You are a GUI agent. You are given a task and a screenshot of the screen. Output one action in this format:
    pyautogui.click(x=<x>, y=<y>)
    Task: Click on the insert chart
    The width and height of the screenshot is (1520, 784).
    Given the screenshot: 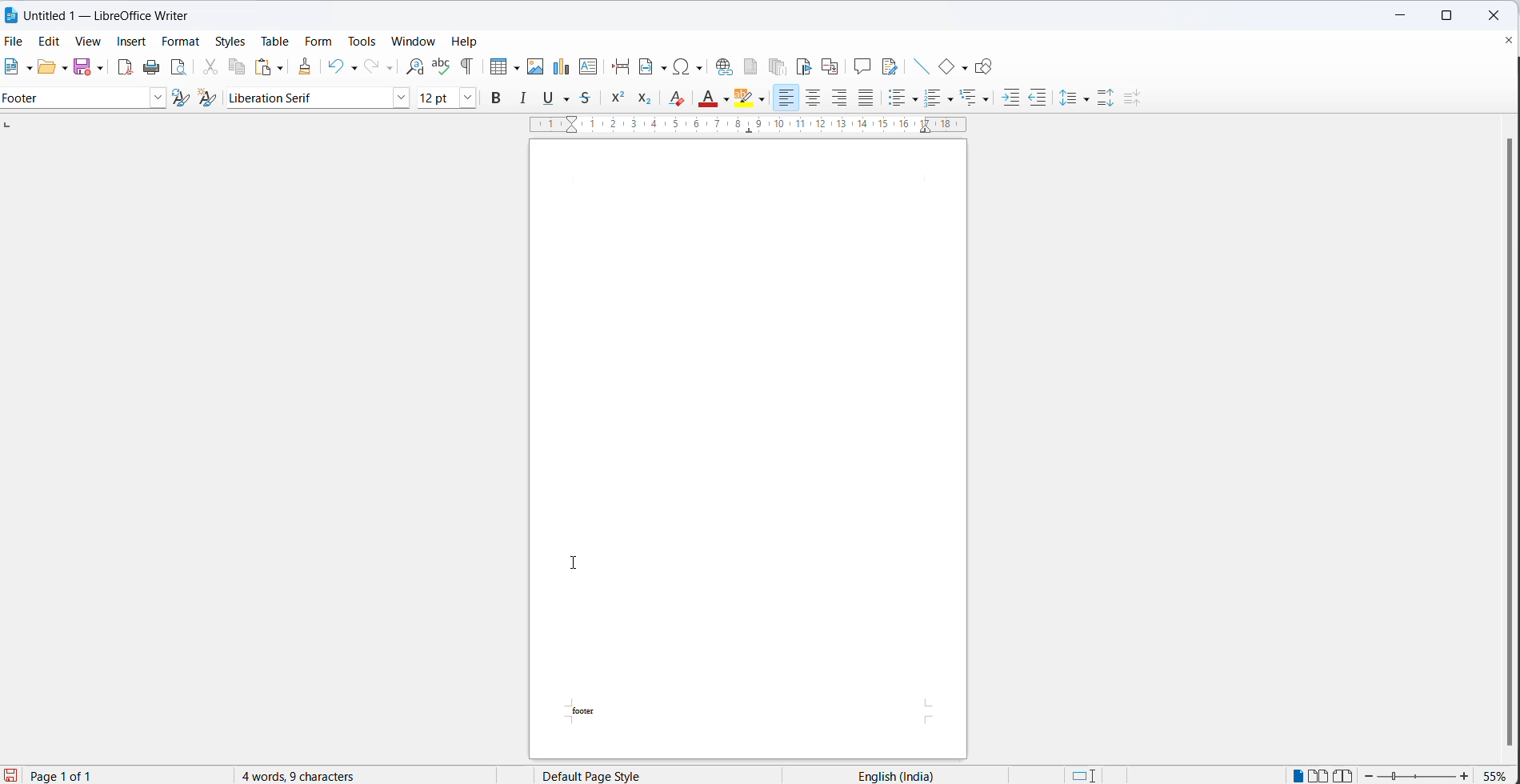 What is the action you would take?
    pyautogui.click(x=563, y=67)
    